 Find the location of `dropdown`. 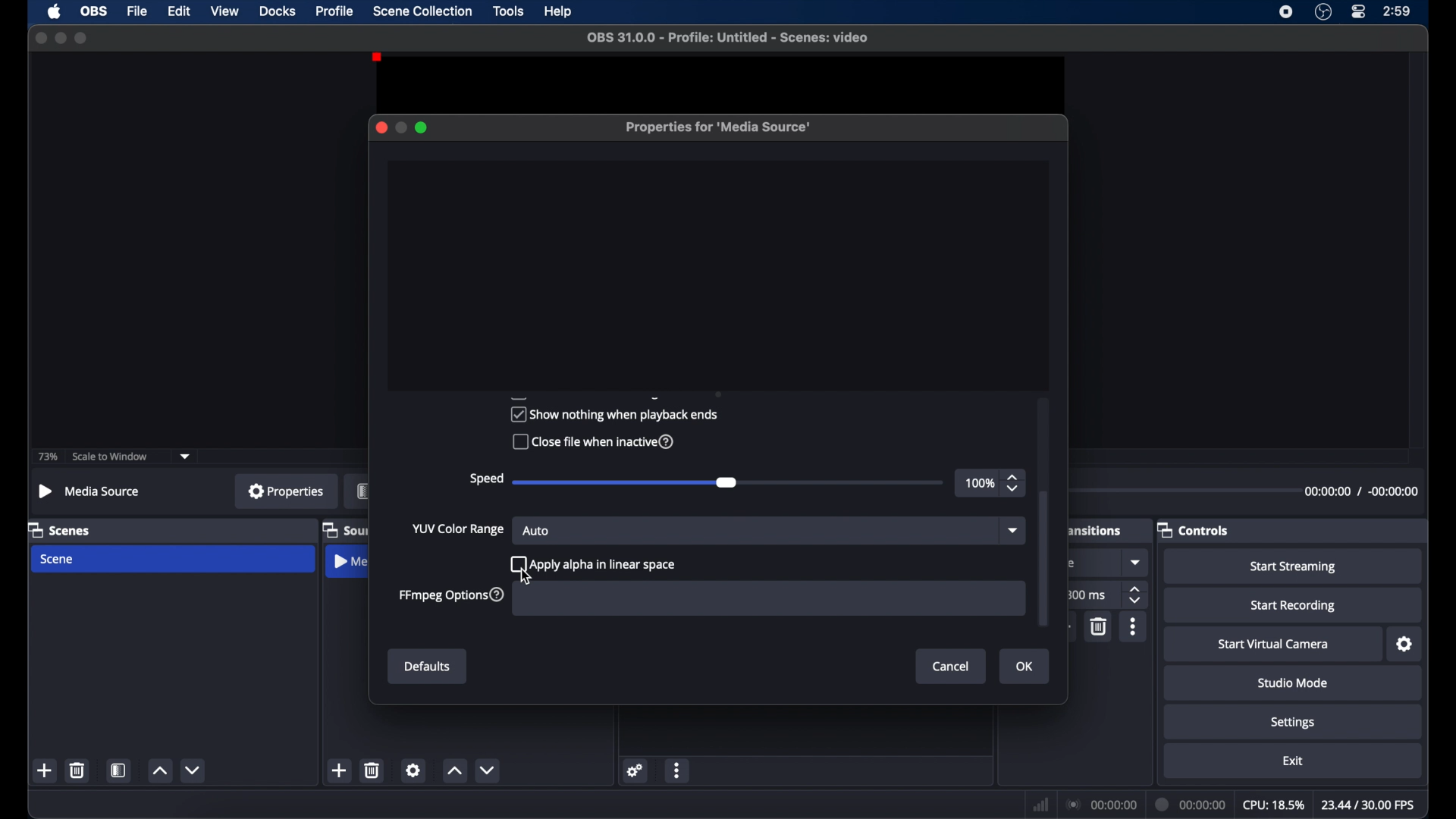

dropdown is located at coordinates (1015, 532).